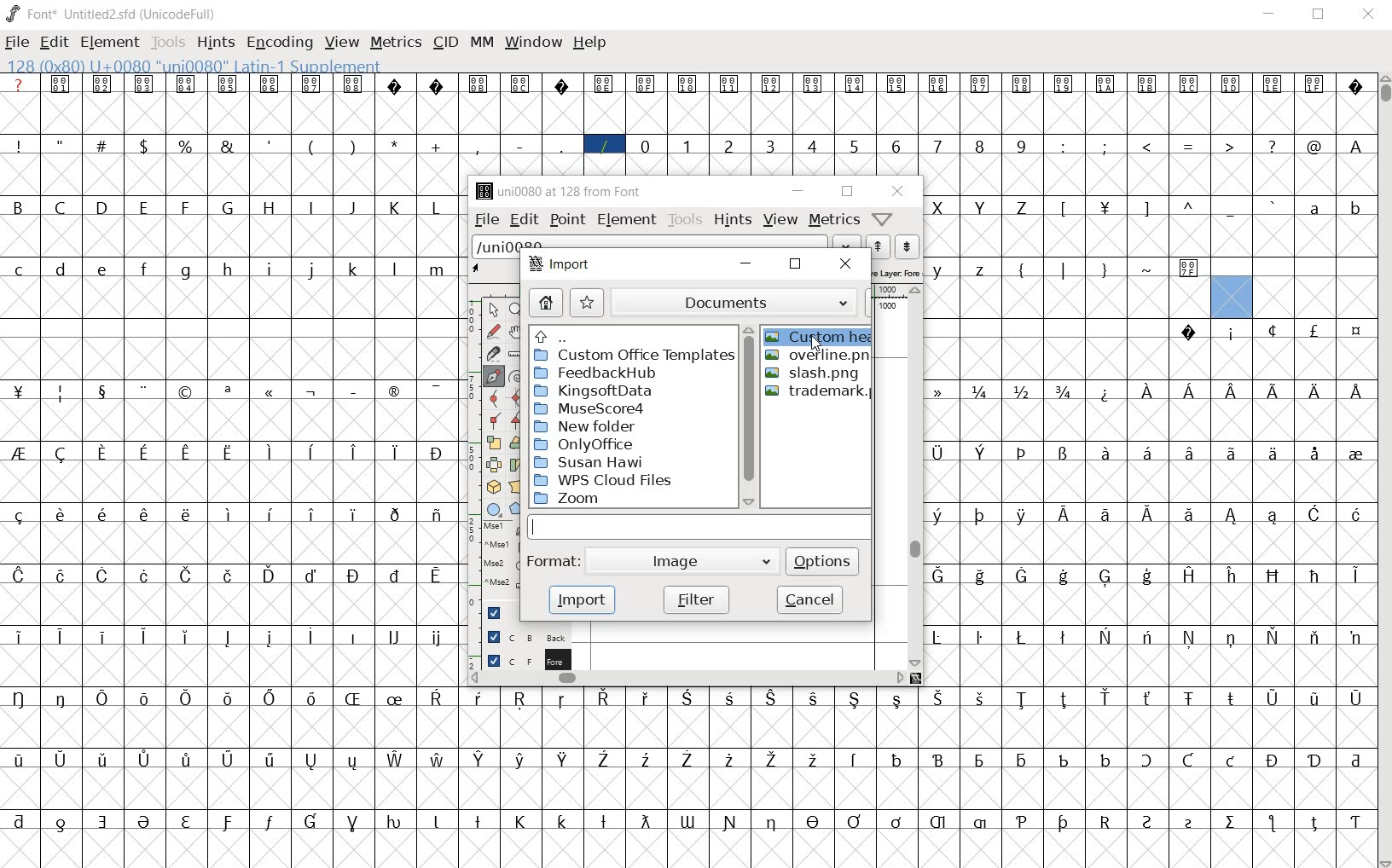 The image size is (1392, 868). Describe the element at coordinates (1356, 147) in the screenshot. I see `glyph` at that location.